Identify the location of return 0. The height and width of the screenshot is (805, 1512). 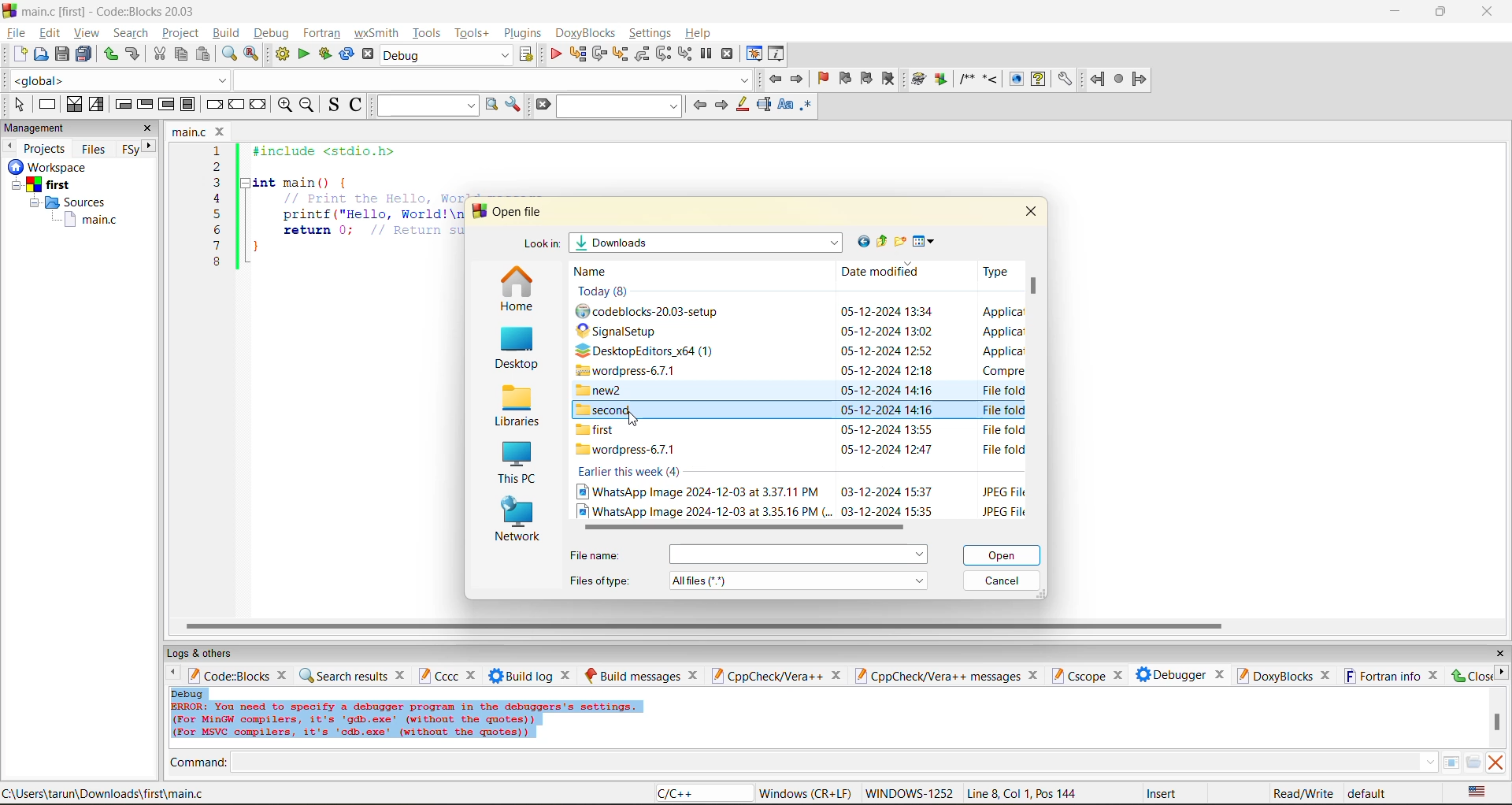
(372, 230).